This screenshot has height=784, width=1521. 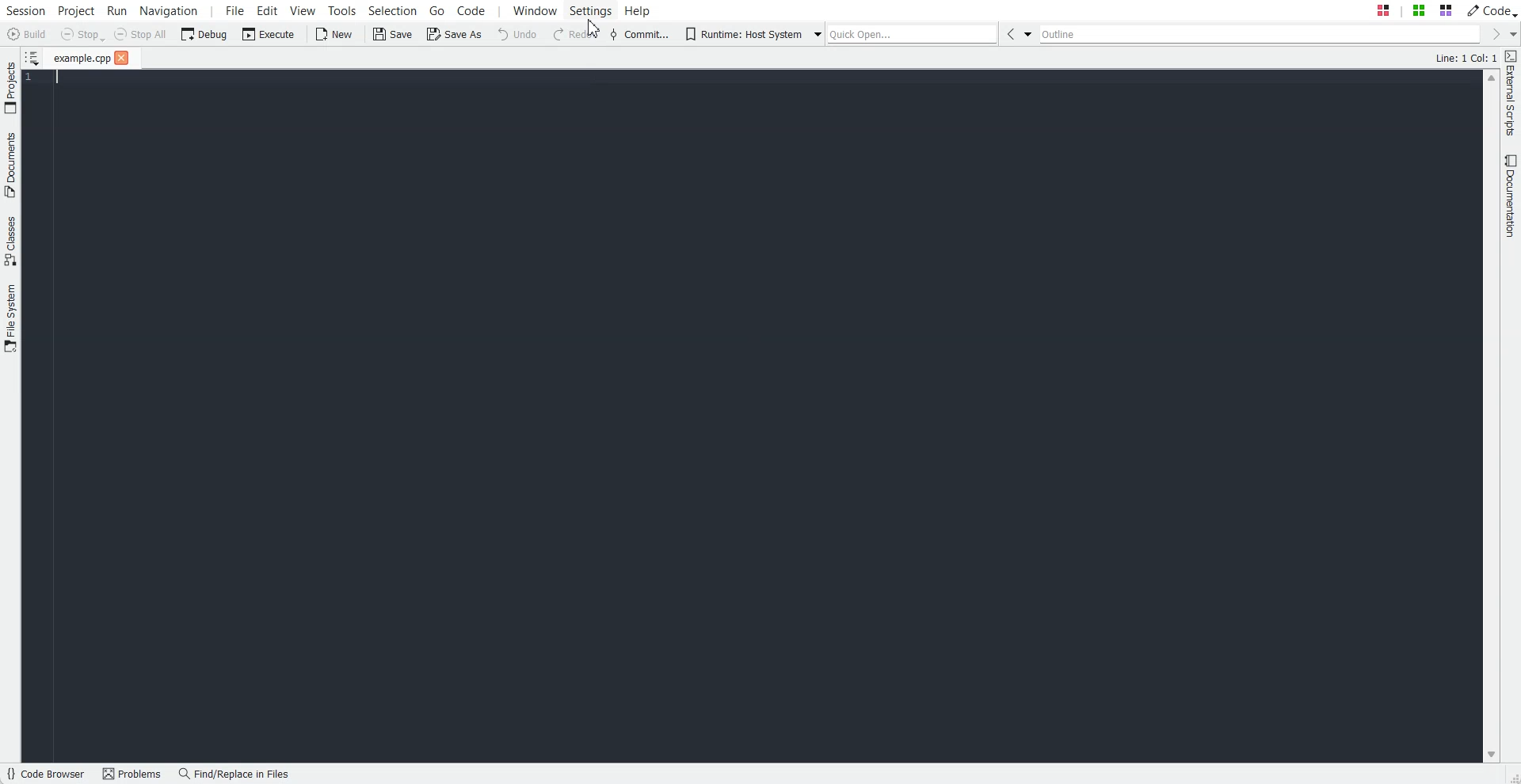 What do you see at coordinates (10, 165) in the screenshot?
I see `Documents` at bounding box center [10, 165].